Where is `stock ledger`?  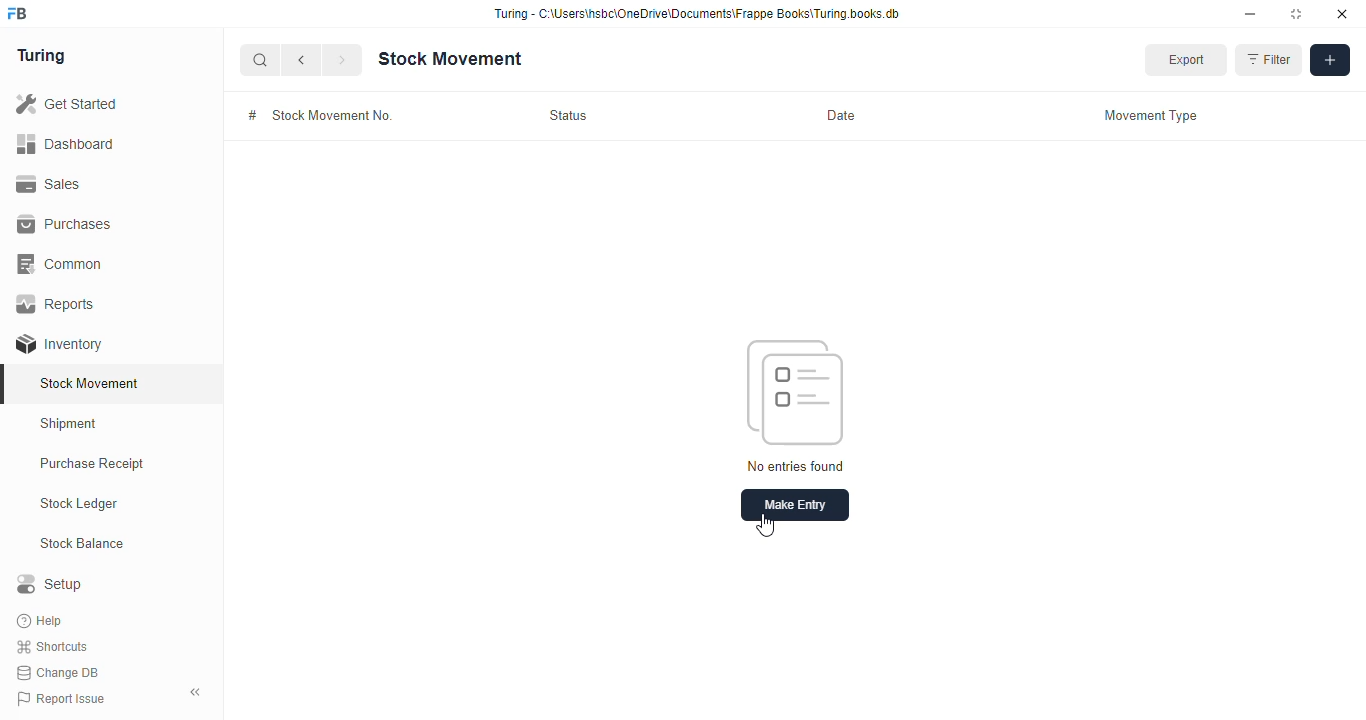 stock ledger is located at coordinates (80, 504).